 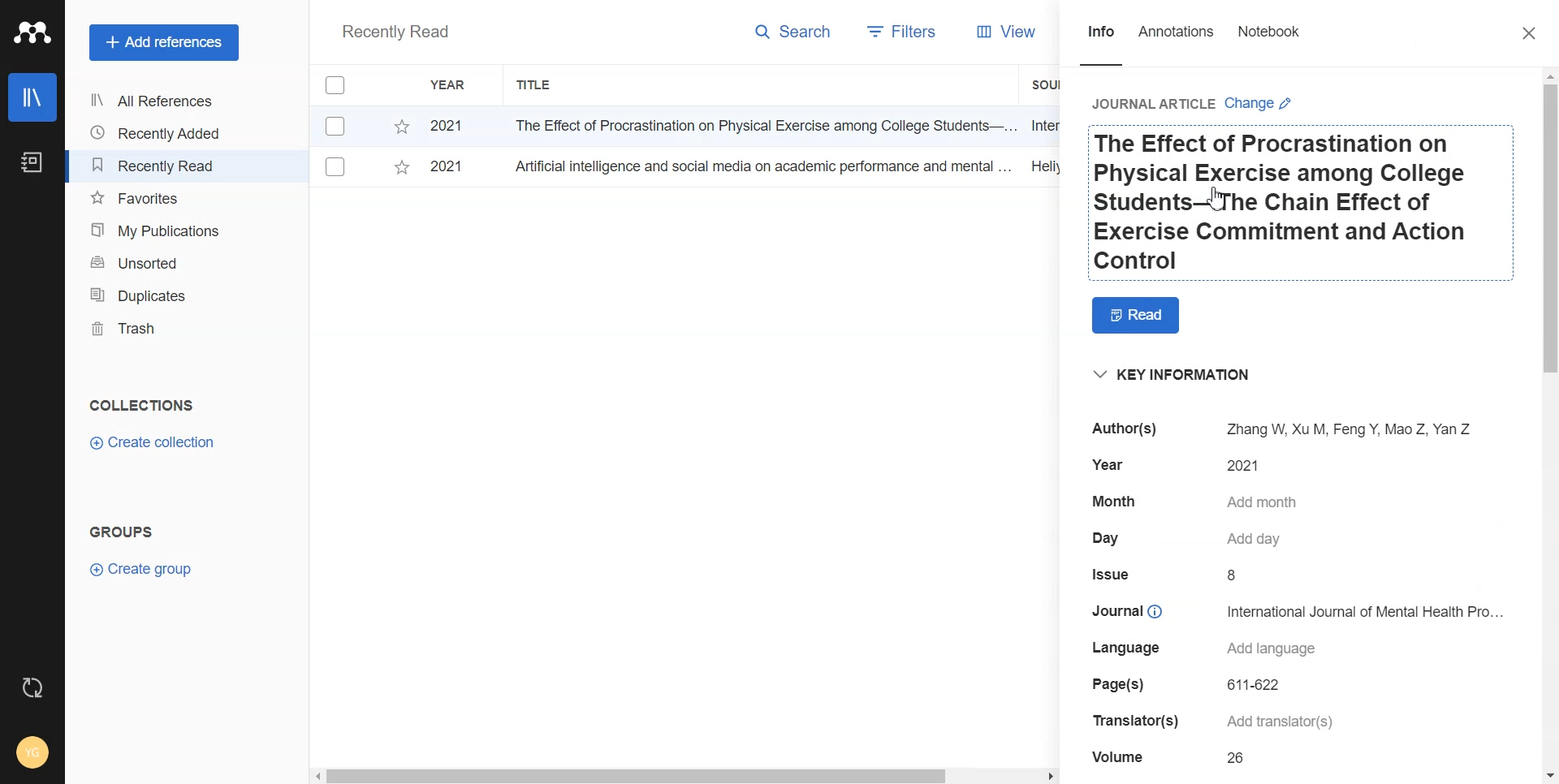 What do you see at coordinates (159, 329) in the screenshot?
I see `Trash` at bounding box center [159, 329].